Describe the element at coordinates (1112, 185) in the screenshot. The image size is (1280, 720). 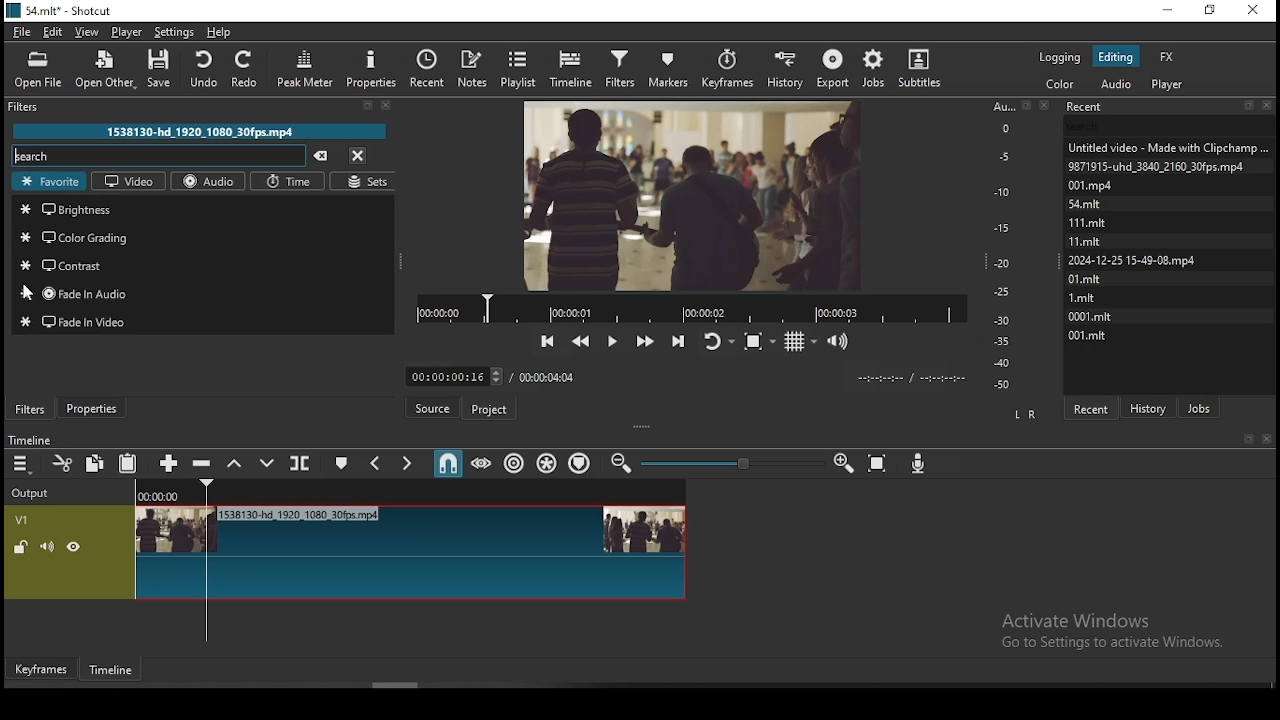
I see `001.mp4` at that location.